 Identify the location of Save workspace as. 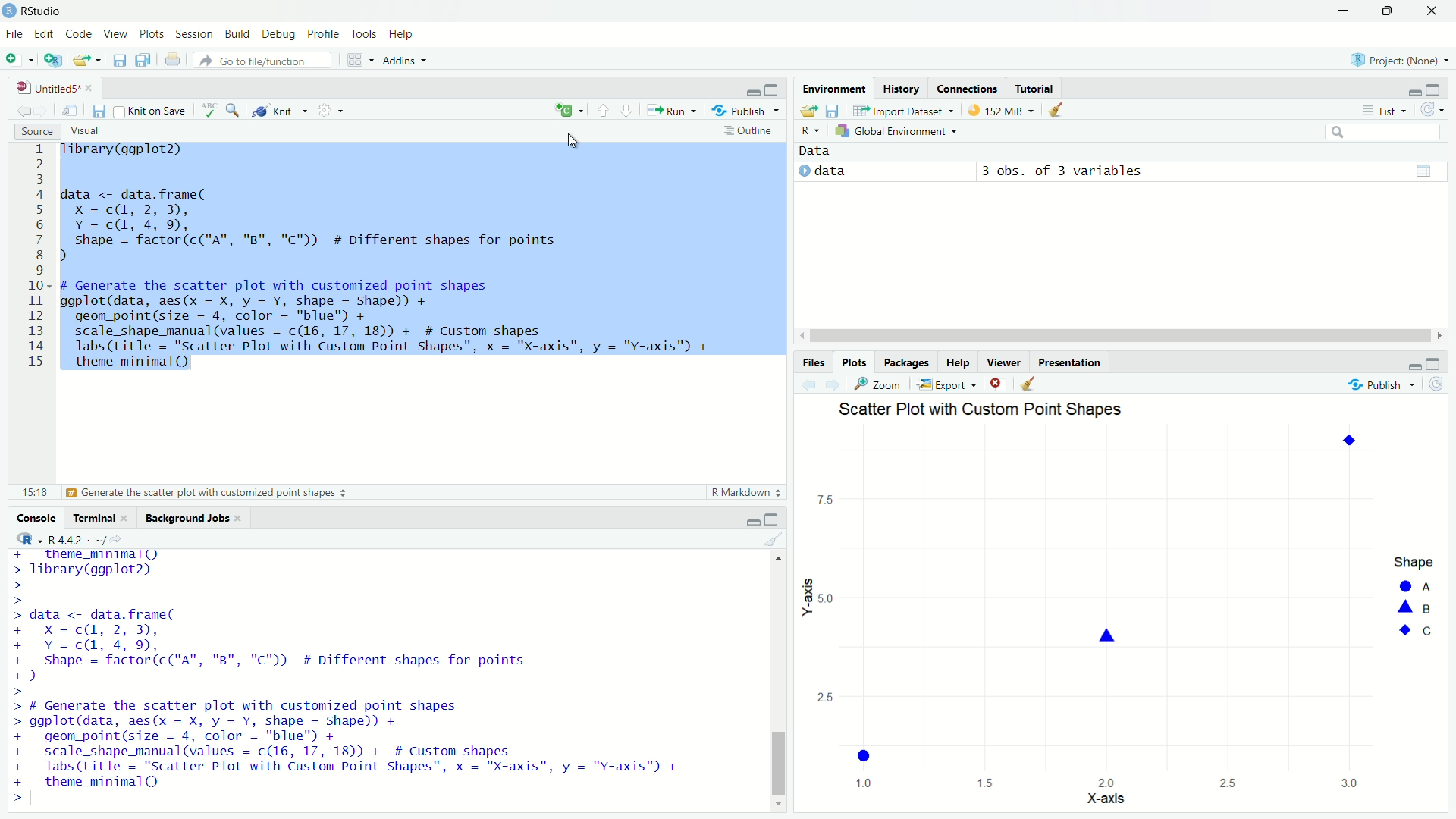
(832, 111).